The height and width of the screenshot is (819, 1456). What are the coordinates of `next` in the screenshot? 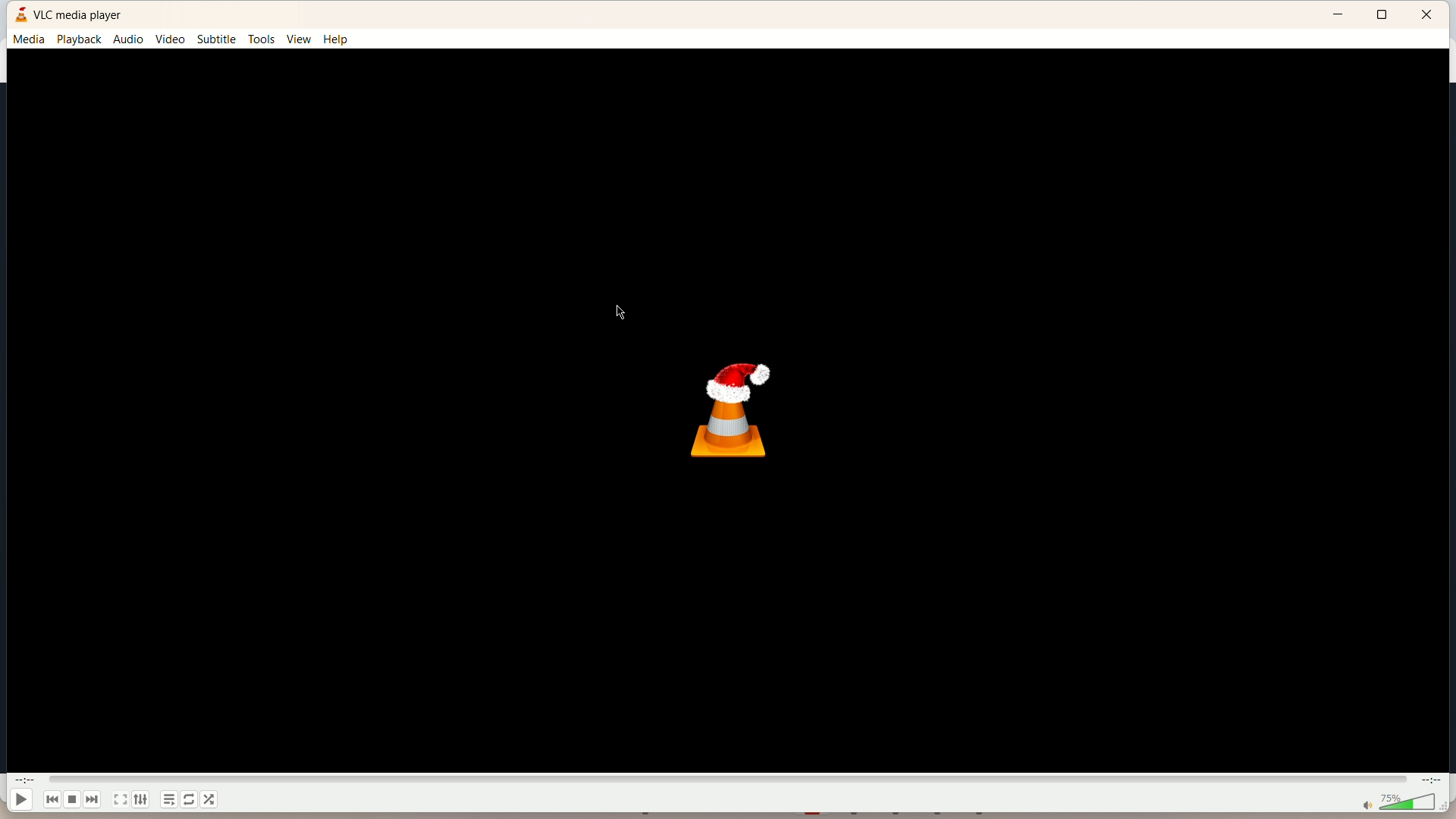 It's located at (94, 799).